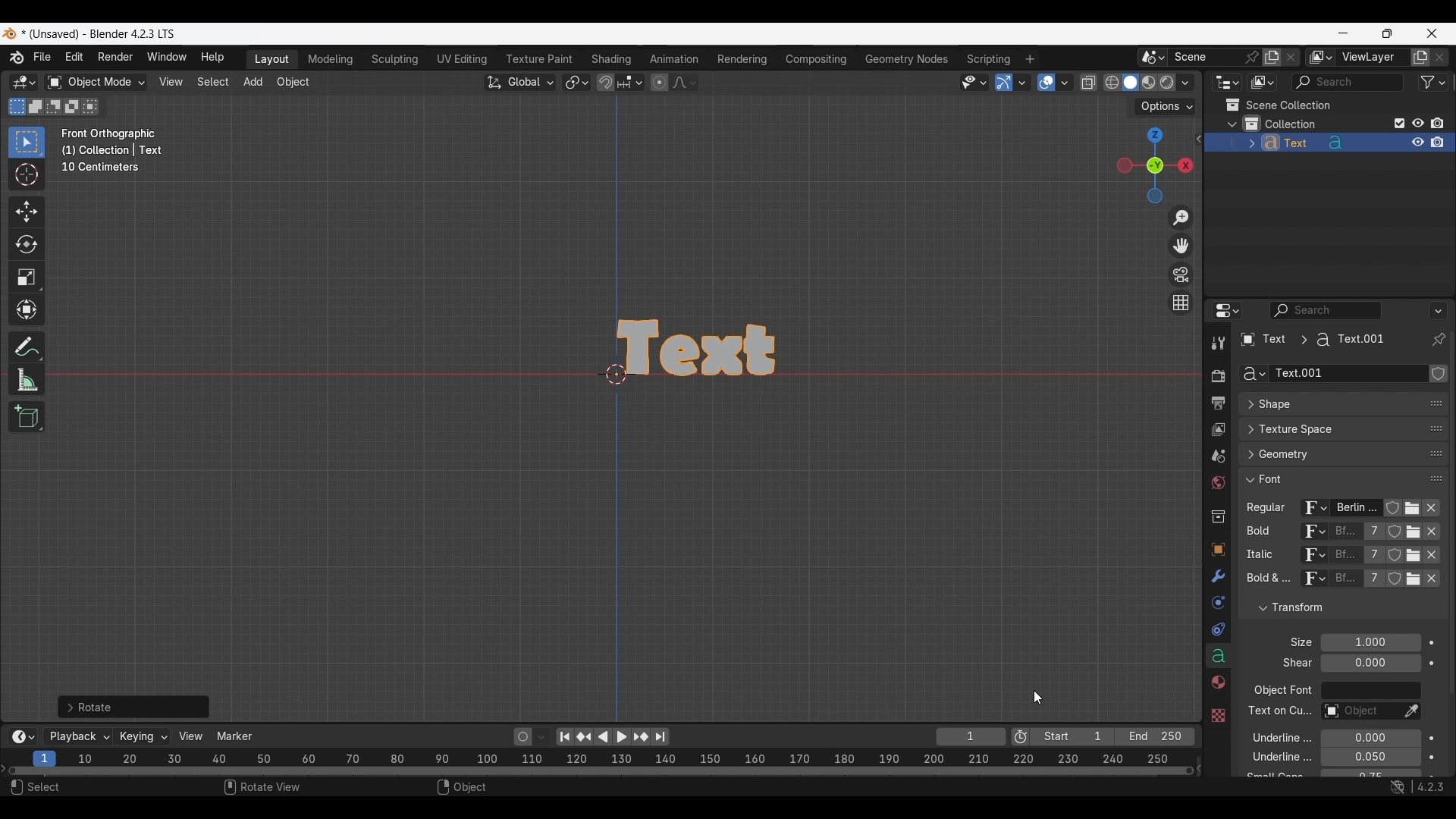 Image resolution: width=1456 pixels, height=819 pixels. I want to click on Medeling workspace, so click(331, 60).